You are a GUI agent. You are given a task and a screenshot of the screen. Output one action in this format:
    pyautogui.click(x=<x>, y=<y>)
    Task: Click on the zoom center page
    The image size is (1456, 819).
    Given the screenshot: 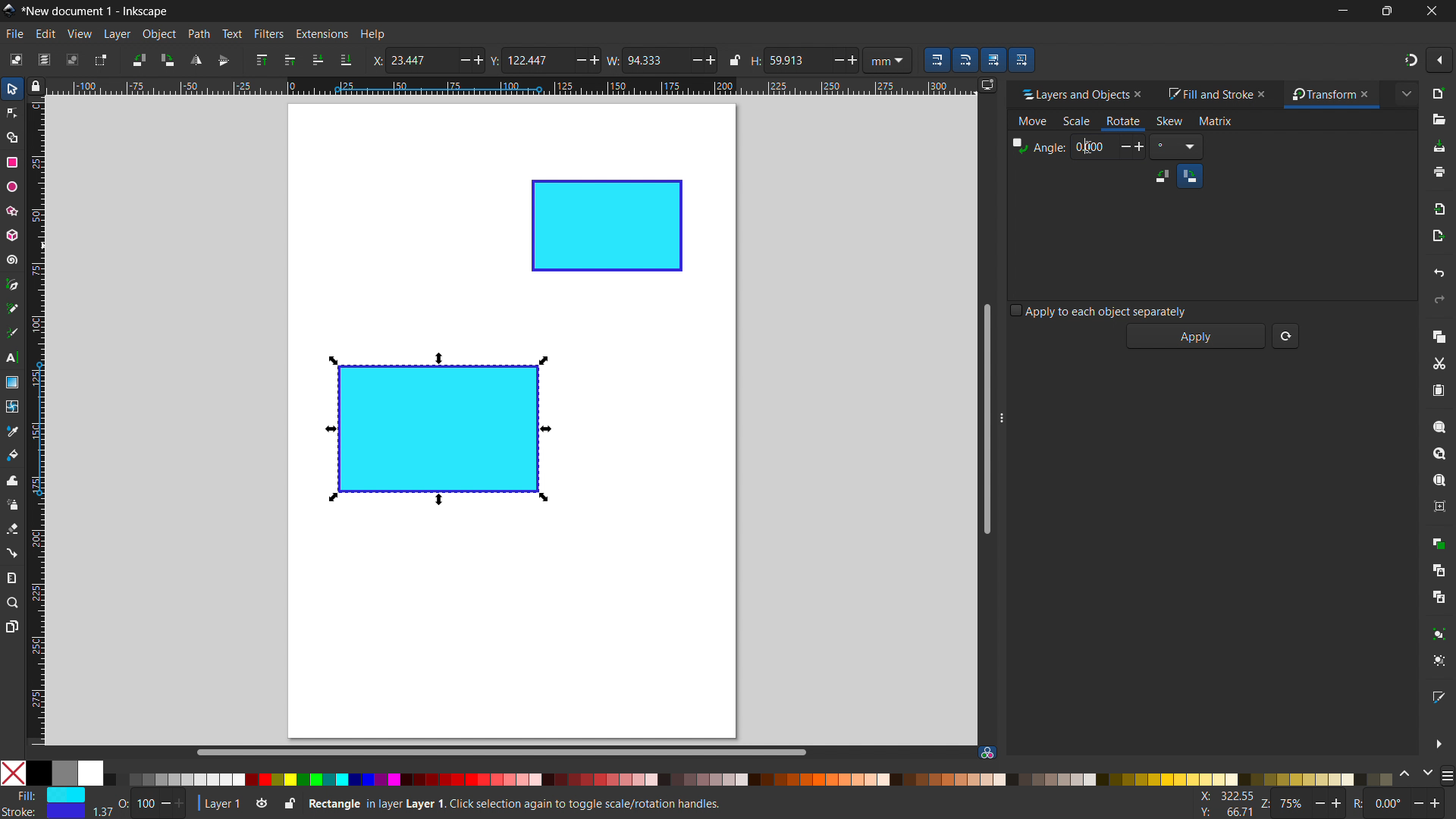 What is the action you would take?
    pyautogui.click(x=1439, y=507)
    